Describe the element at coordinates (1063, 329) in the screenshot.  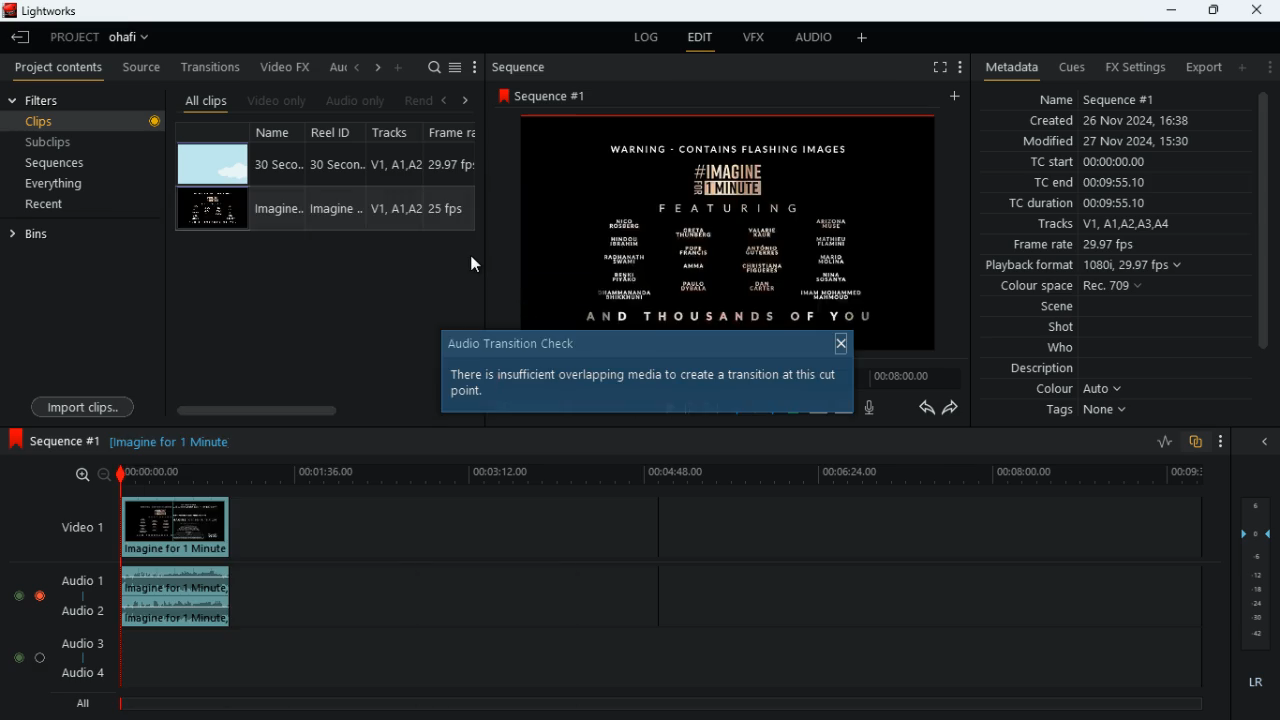
I see `shot` at that location.